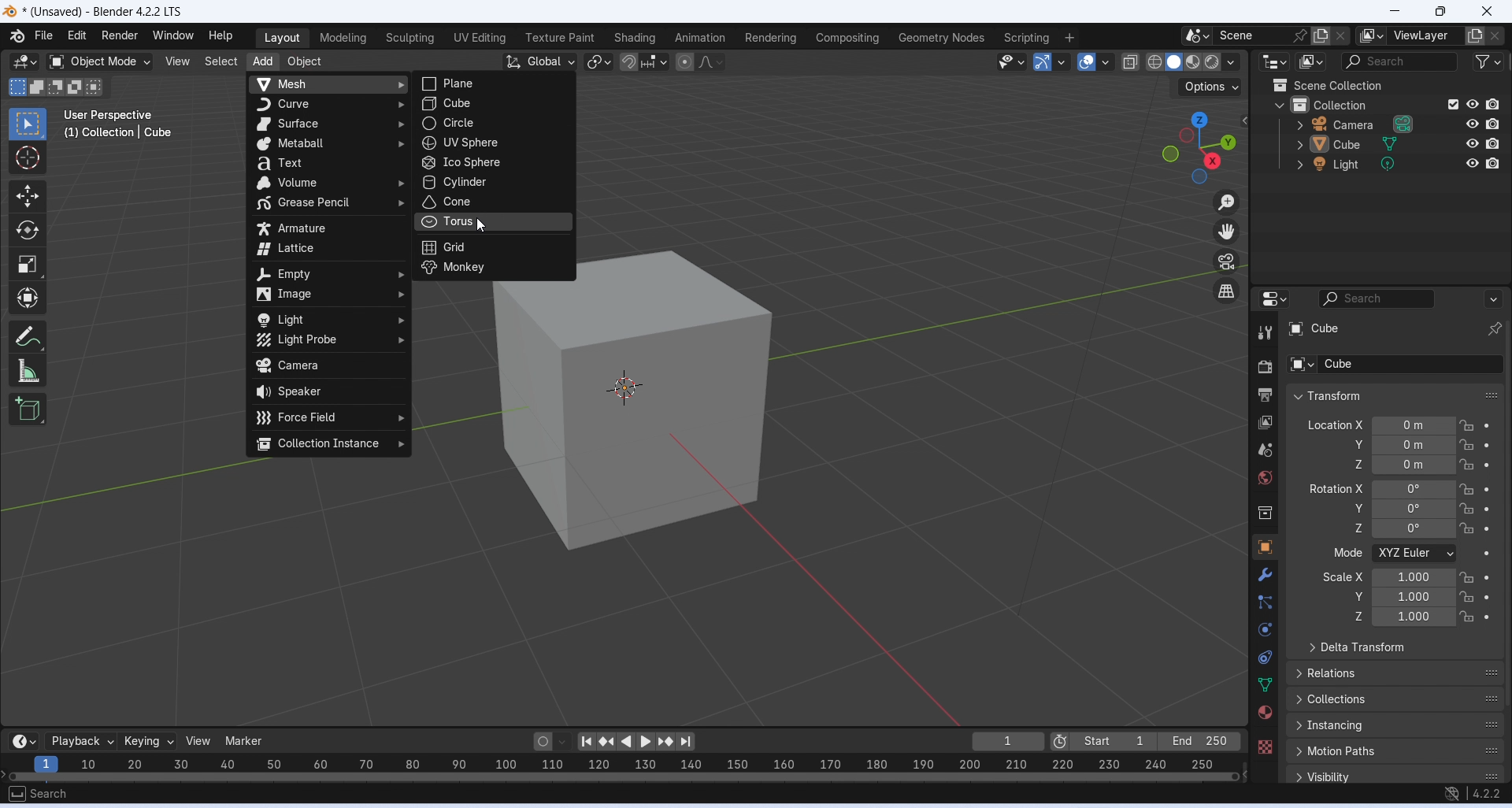 Image resolution: width=1512 pixels, height=808 pixels. Describe the element at coordinates (332, 295) in the screenshot. I see `image` at that location.